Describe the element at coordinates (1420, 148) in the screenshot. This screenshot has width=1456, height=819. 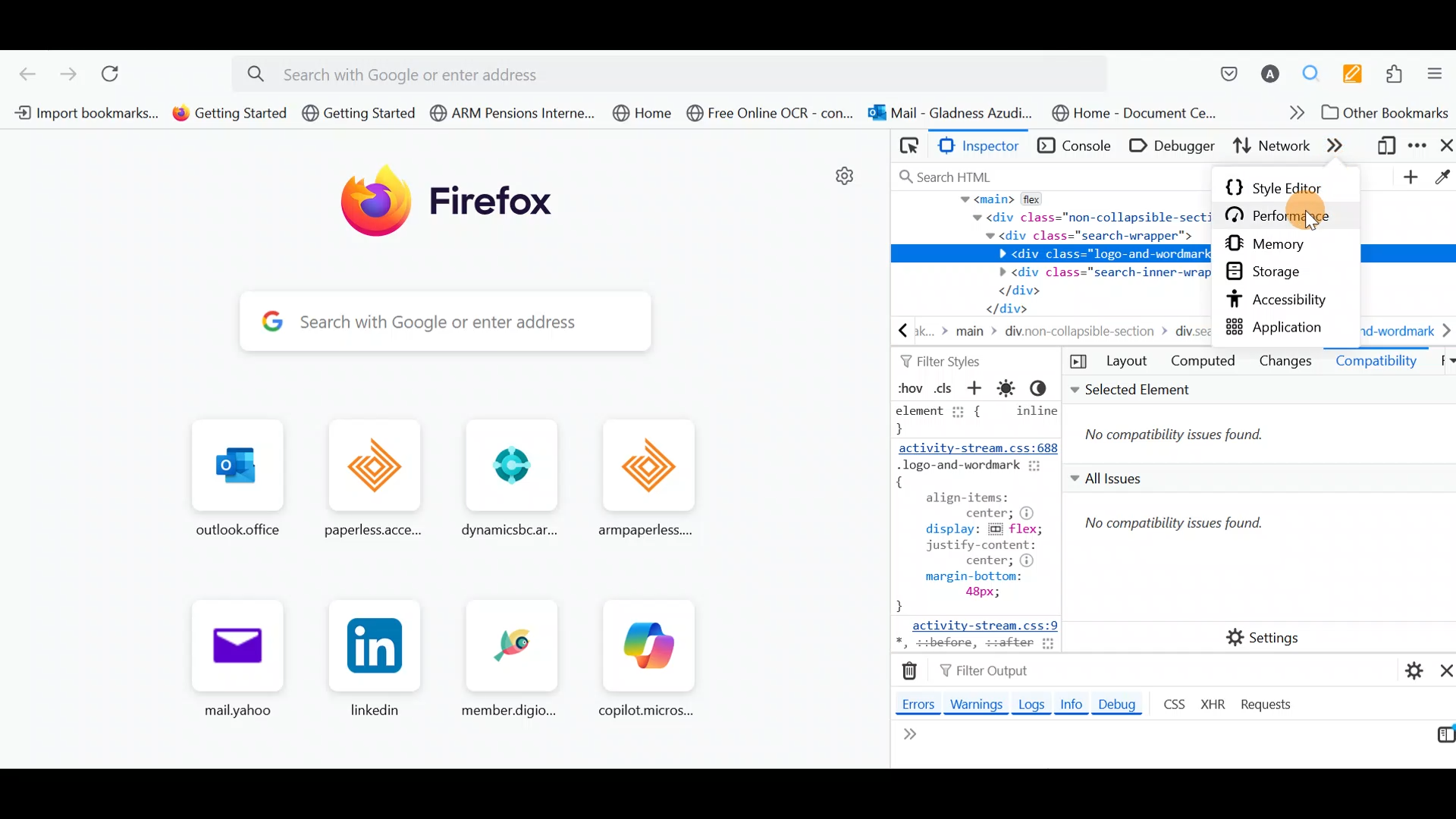
I see `Customize developer tools & get help` at that location.